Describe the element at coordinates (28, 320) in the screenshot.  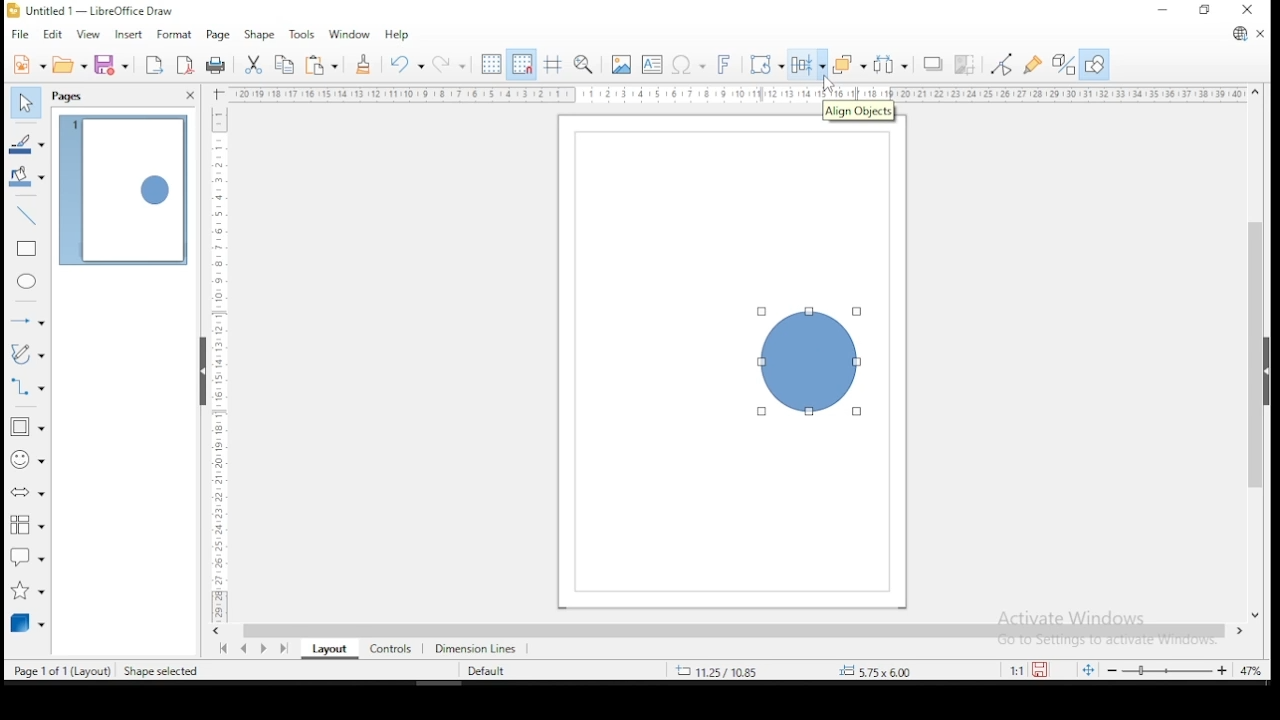
I see `lines and arrows` at that location.